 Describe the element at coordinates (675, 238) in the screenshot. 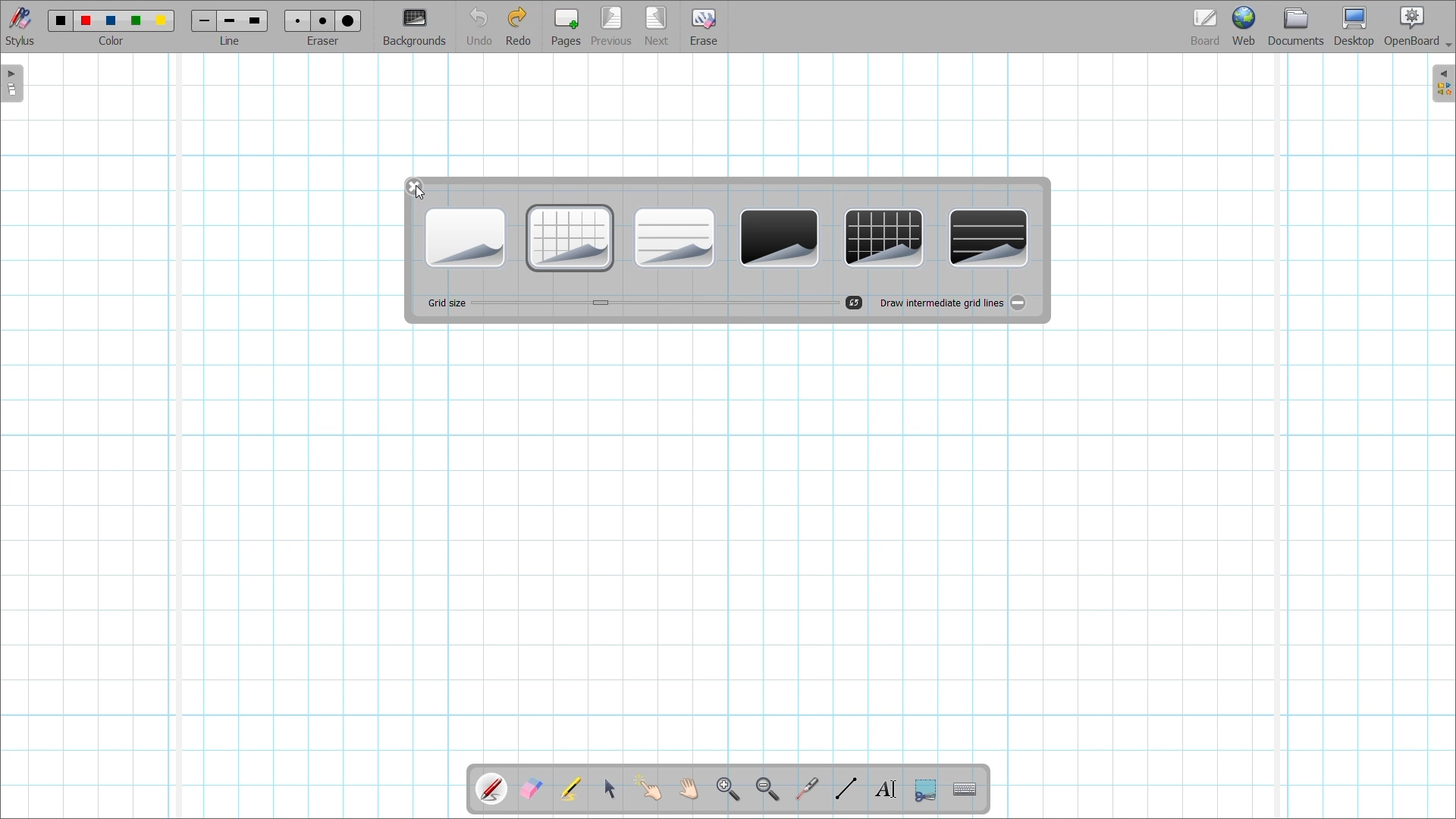

I see `Ruled light background` at that location.